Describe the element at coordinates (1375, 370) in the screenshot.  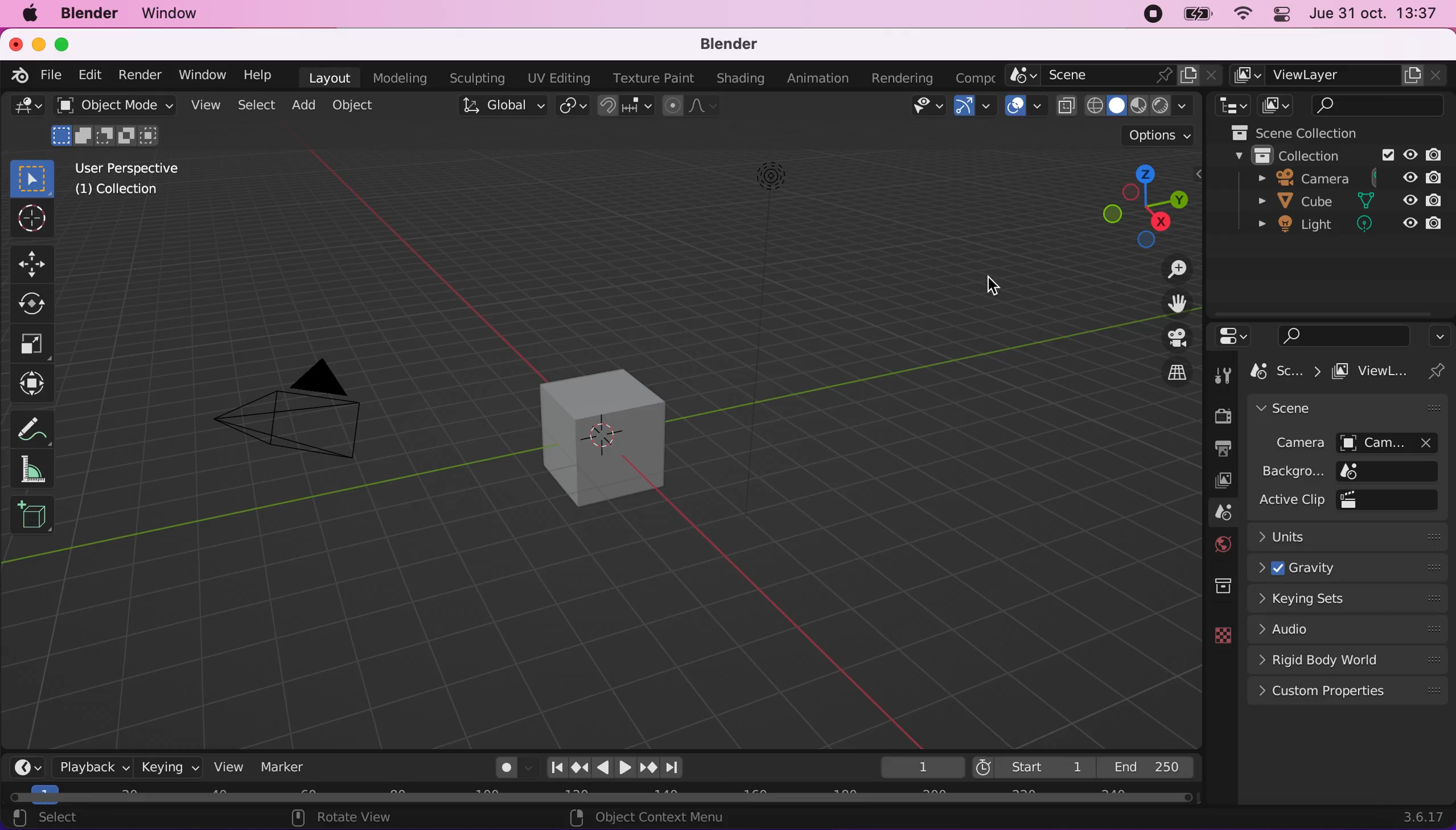
I see `viewlayer` at that location.